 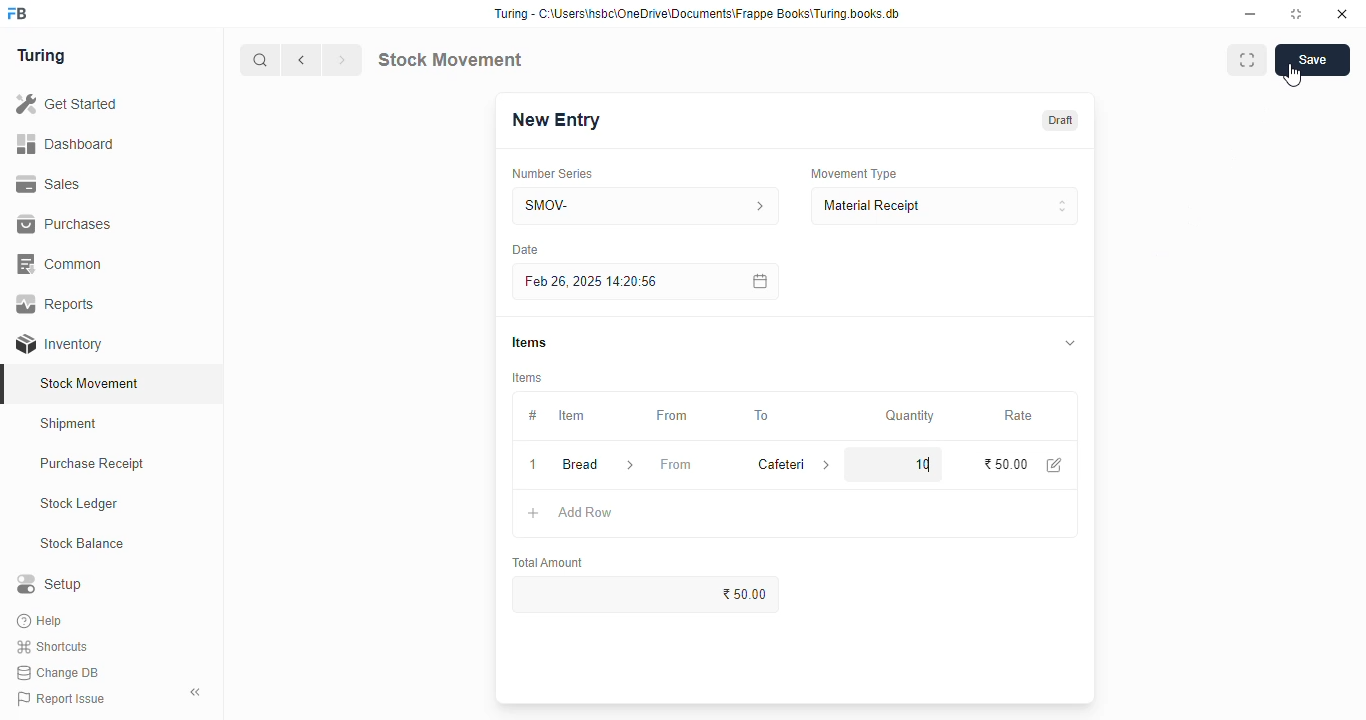 What do you see at coordinates (1250, 15) in the screenshot?
I see `minimize` at bounding box center [1250, 15].